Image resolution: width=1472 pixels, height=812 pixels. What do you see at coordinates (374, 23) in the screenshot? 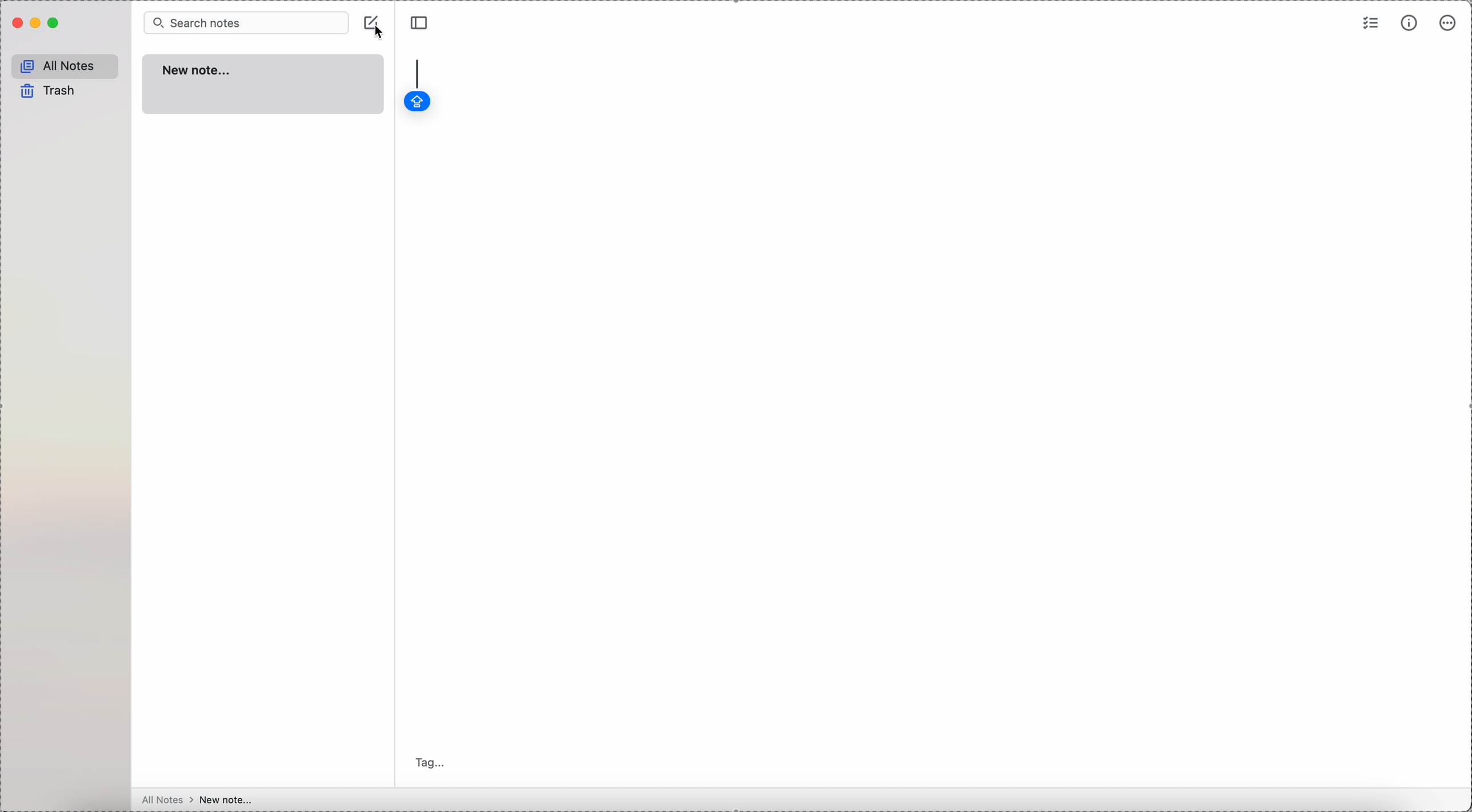
I see `create note` at bounding box center [374, 23].